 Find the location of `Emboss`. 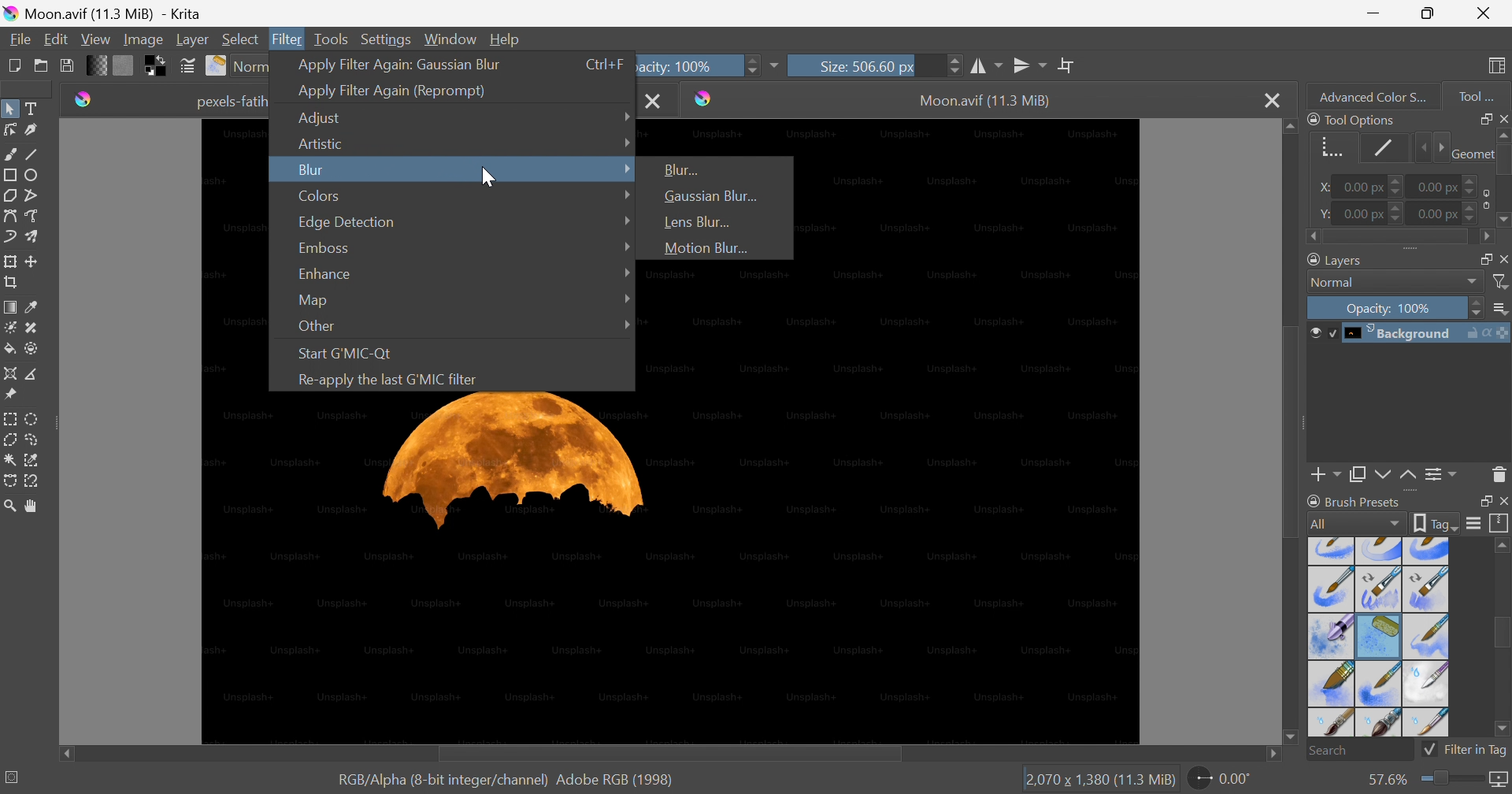

Emboss is located at coordinates (325, 247).